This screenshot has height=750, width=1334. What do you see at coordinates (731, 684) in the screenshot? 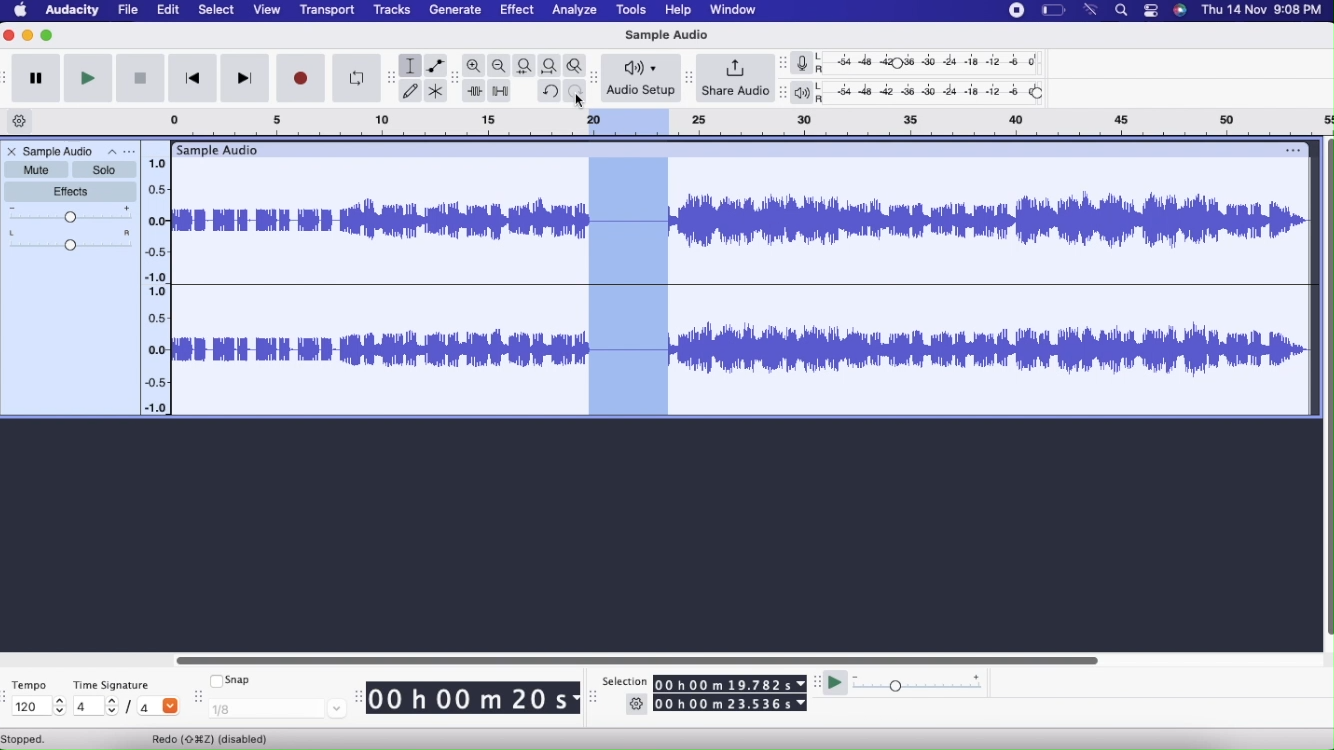
I see `00 h 00 m 19.782s` at bounding box center [731, 684].